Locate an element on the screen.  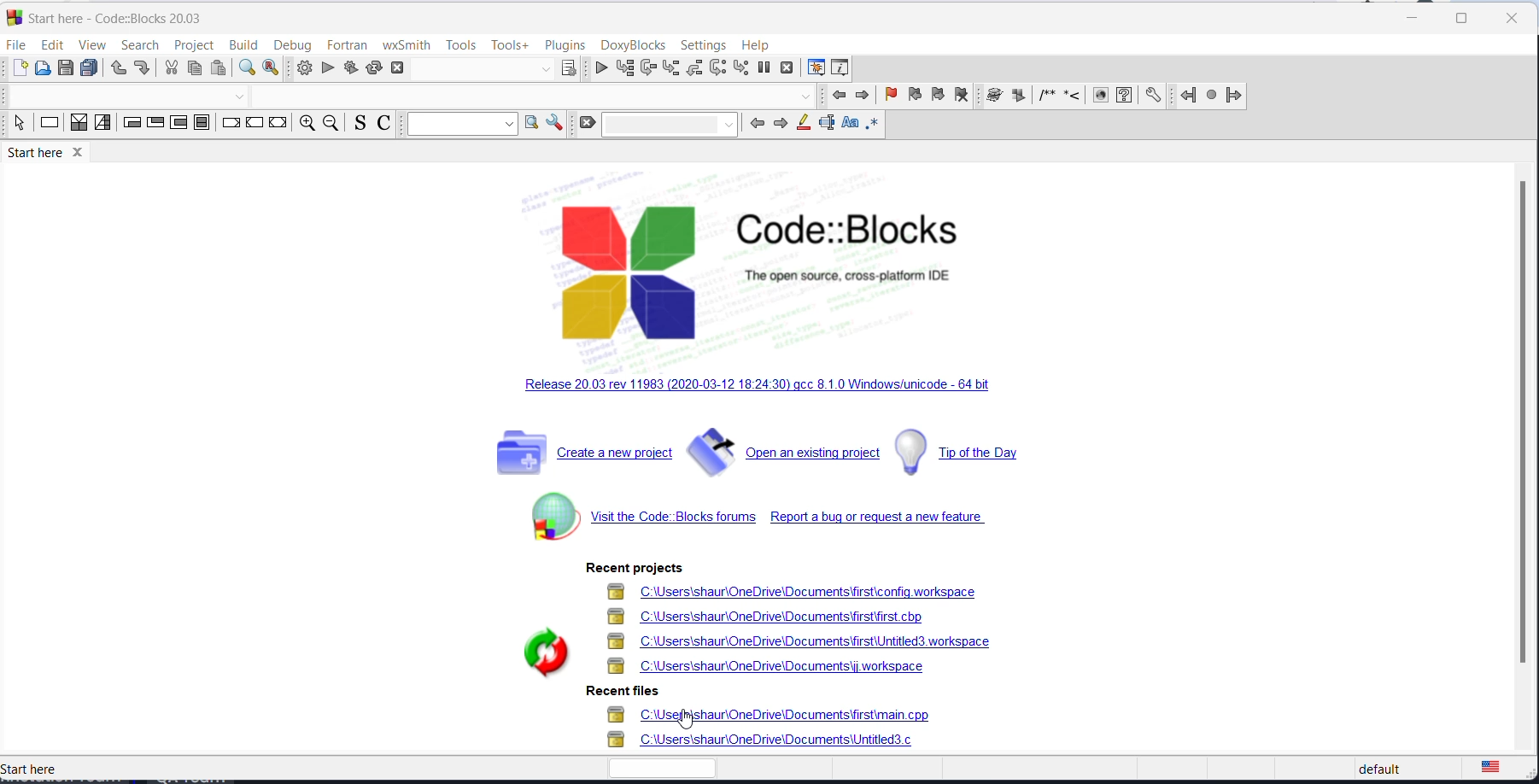
help is located at coordinates (758, 45).